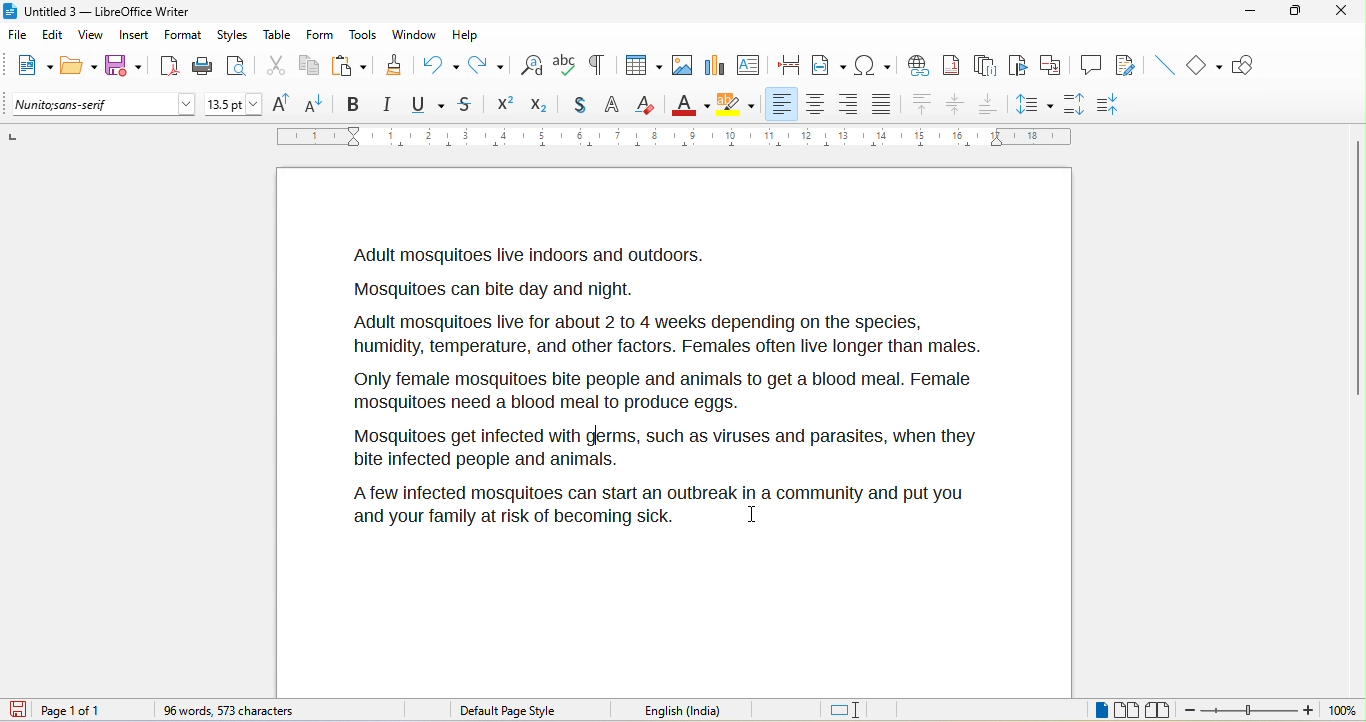 This screenshot has width=1366, height=722. What do you see at coordinates (1127, 711) in the screenshot?
I see `multiple page view` at bounding box center [1127, 711].